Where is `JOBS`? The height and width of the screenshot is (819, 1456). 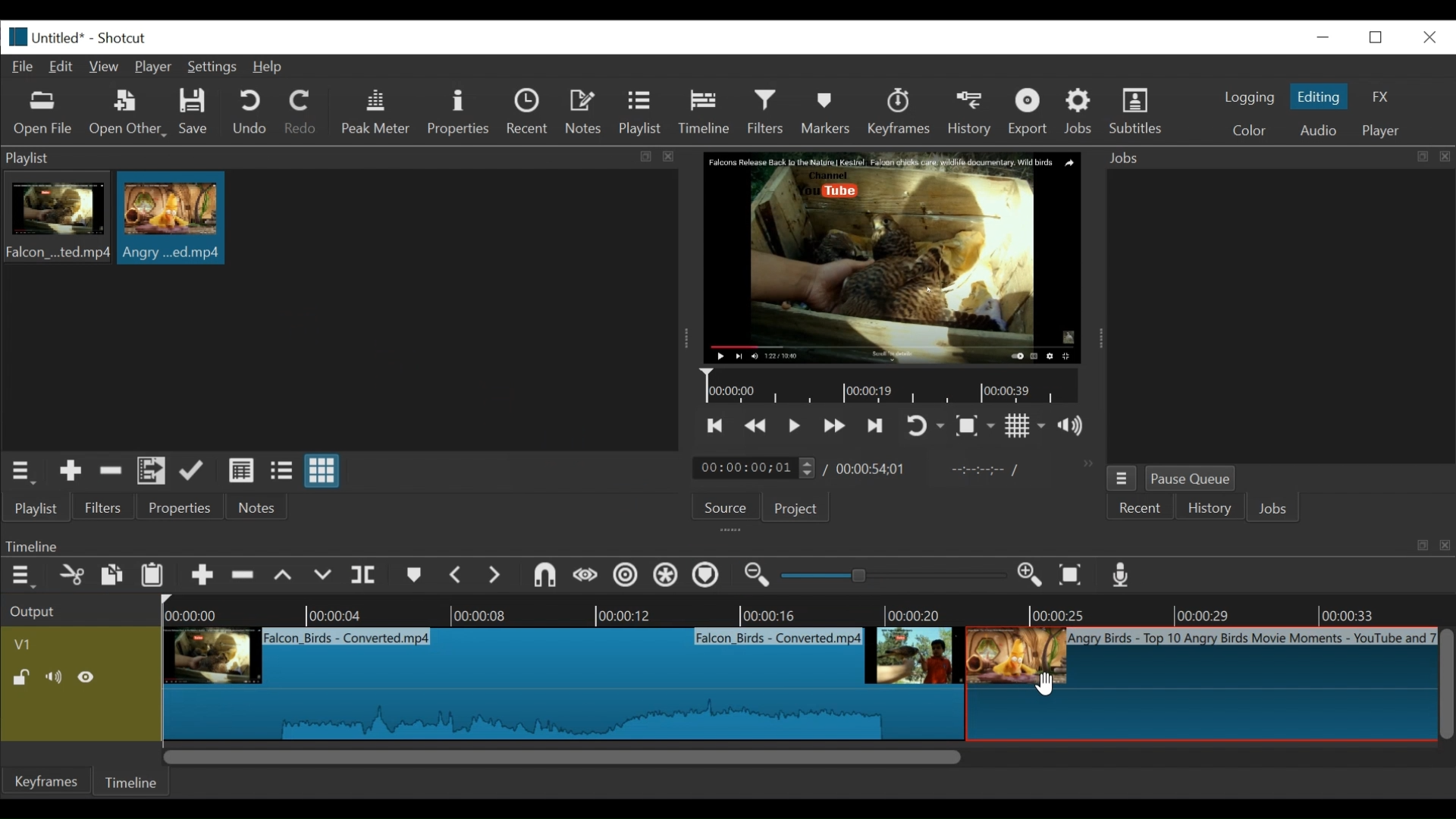 JOBS is located at coordinates (1275, 510).